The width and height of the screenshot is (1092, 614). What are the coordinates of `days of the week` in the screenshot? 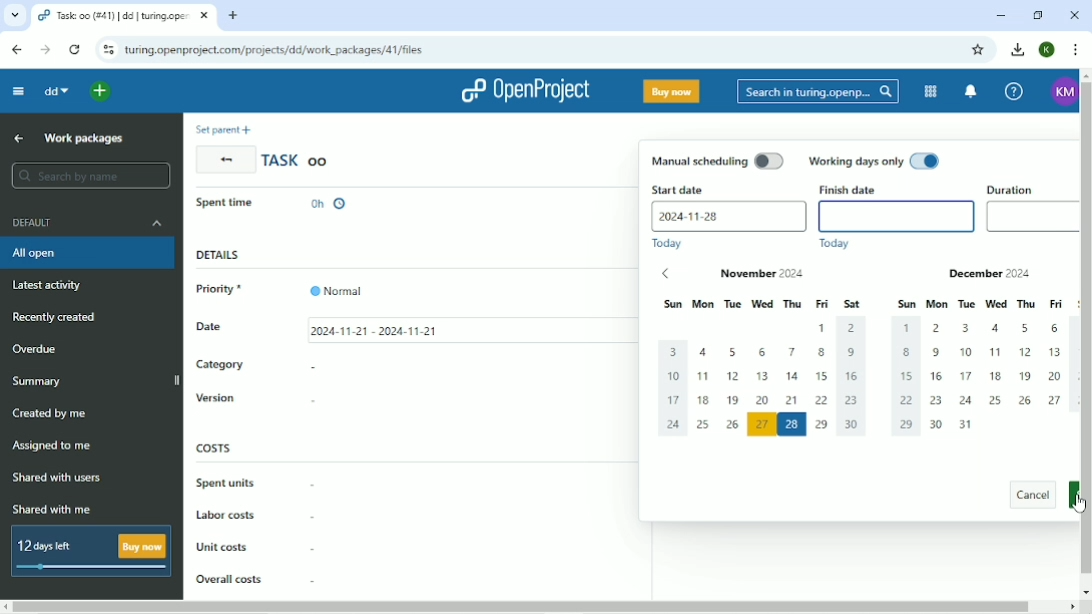 It's located at (981, 304).